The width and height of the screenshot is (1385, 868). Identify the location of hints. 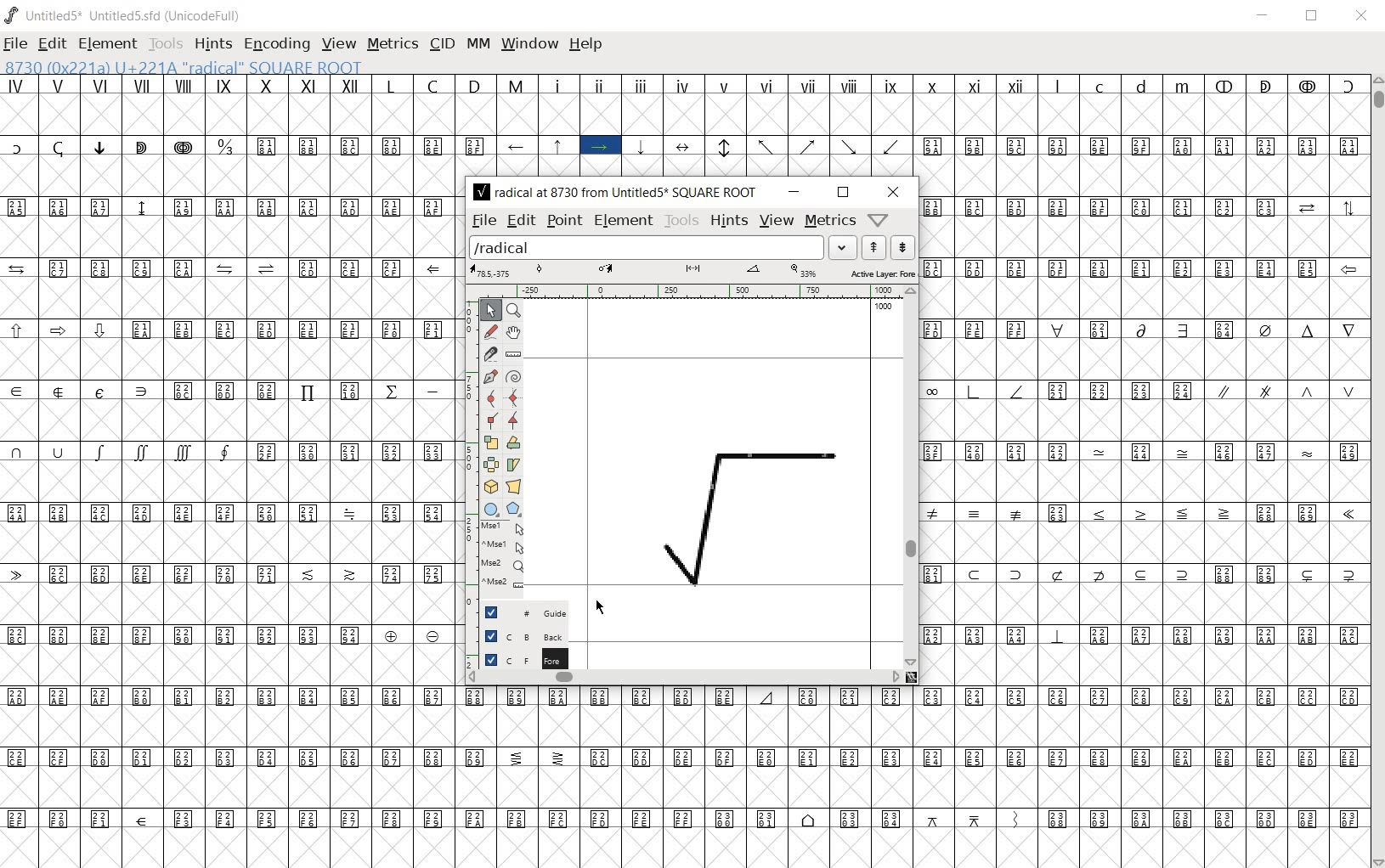
(726, 220).